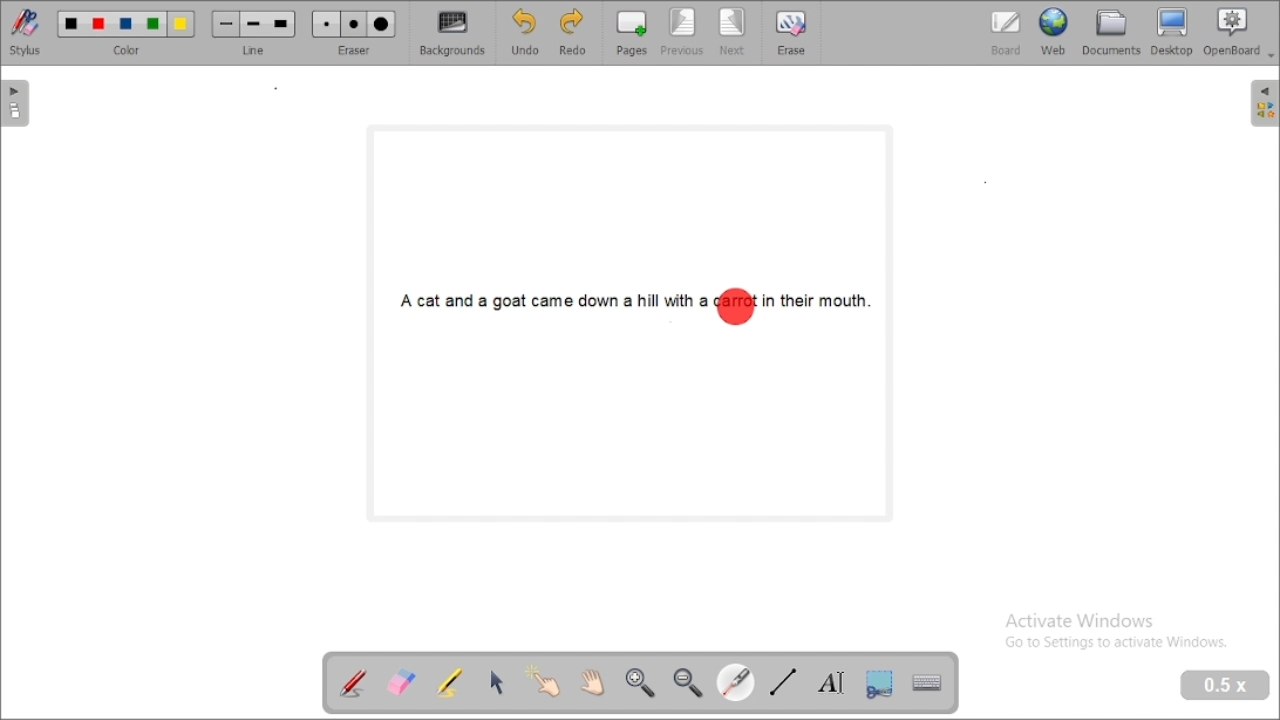  What do you see at coordinates (1226, 686) in the screenshot?
I see `zoom level` at bounding box center [1226, 686].